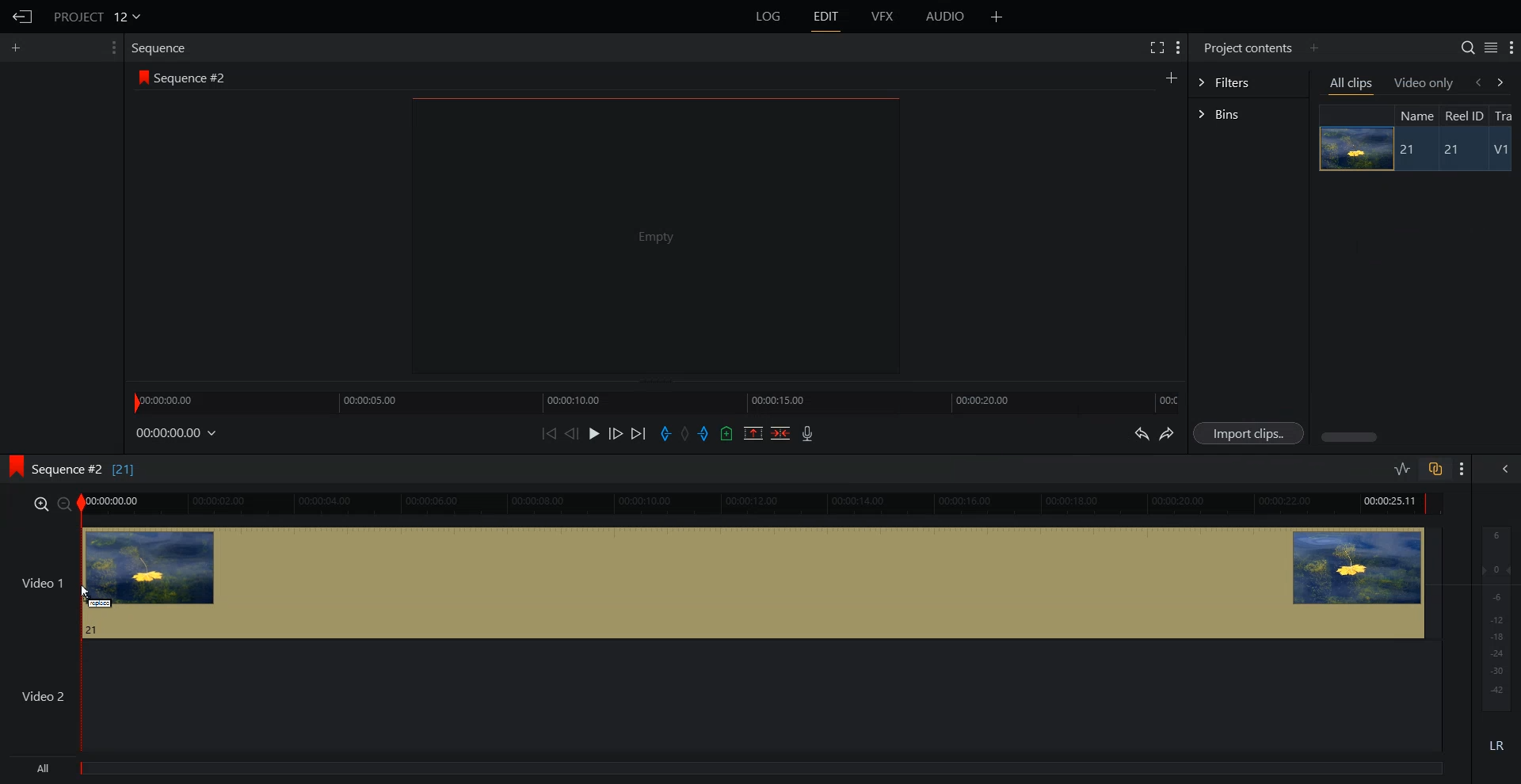 The image size is (1521, 784). Describe the element at coordinates (944, 17) in the screenshot. I see `AUDIO` at that location.